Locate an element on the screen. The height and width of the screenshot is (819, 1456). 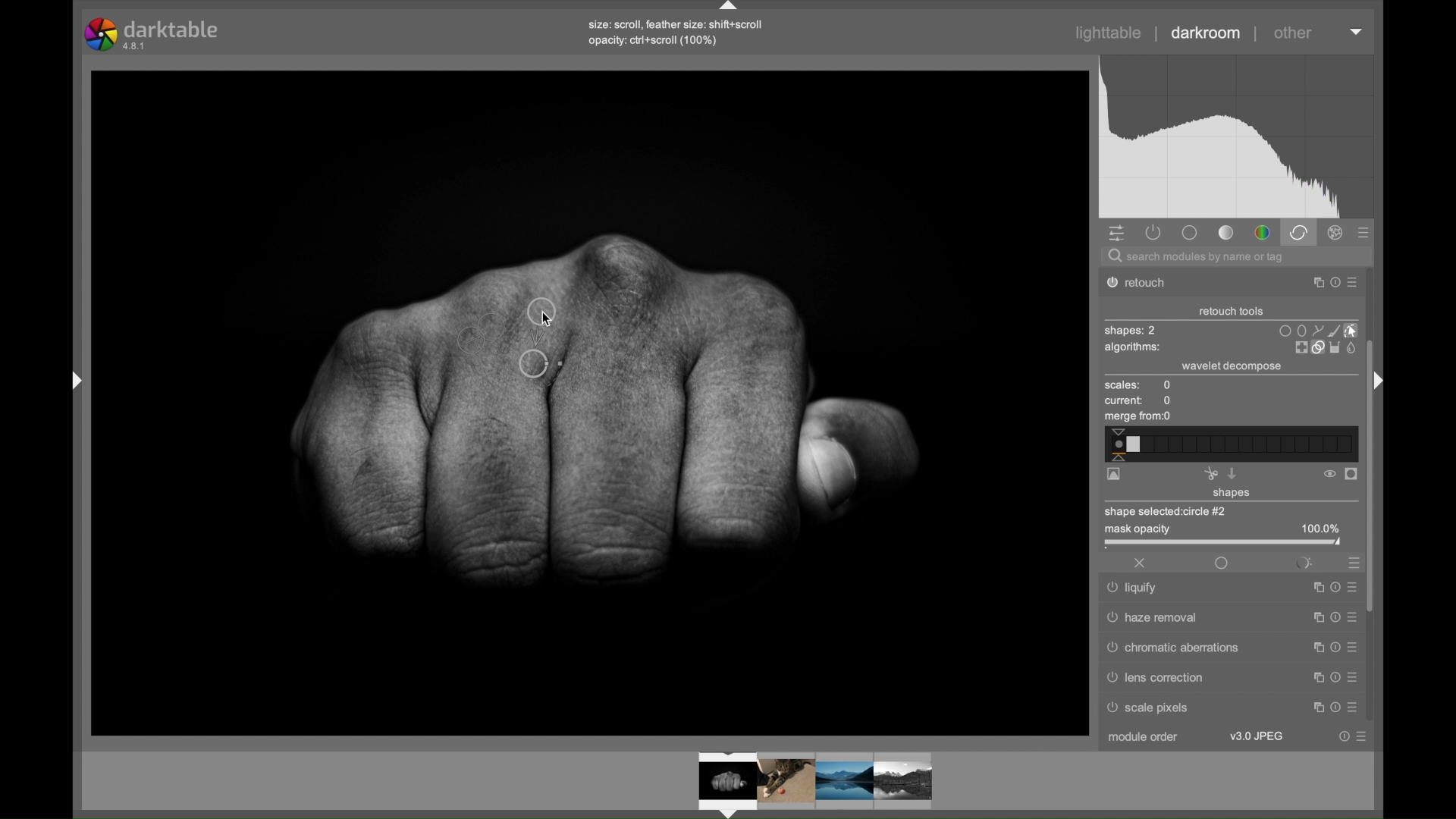
maximize is located at coordinates (1317, 708).